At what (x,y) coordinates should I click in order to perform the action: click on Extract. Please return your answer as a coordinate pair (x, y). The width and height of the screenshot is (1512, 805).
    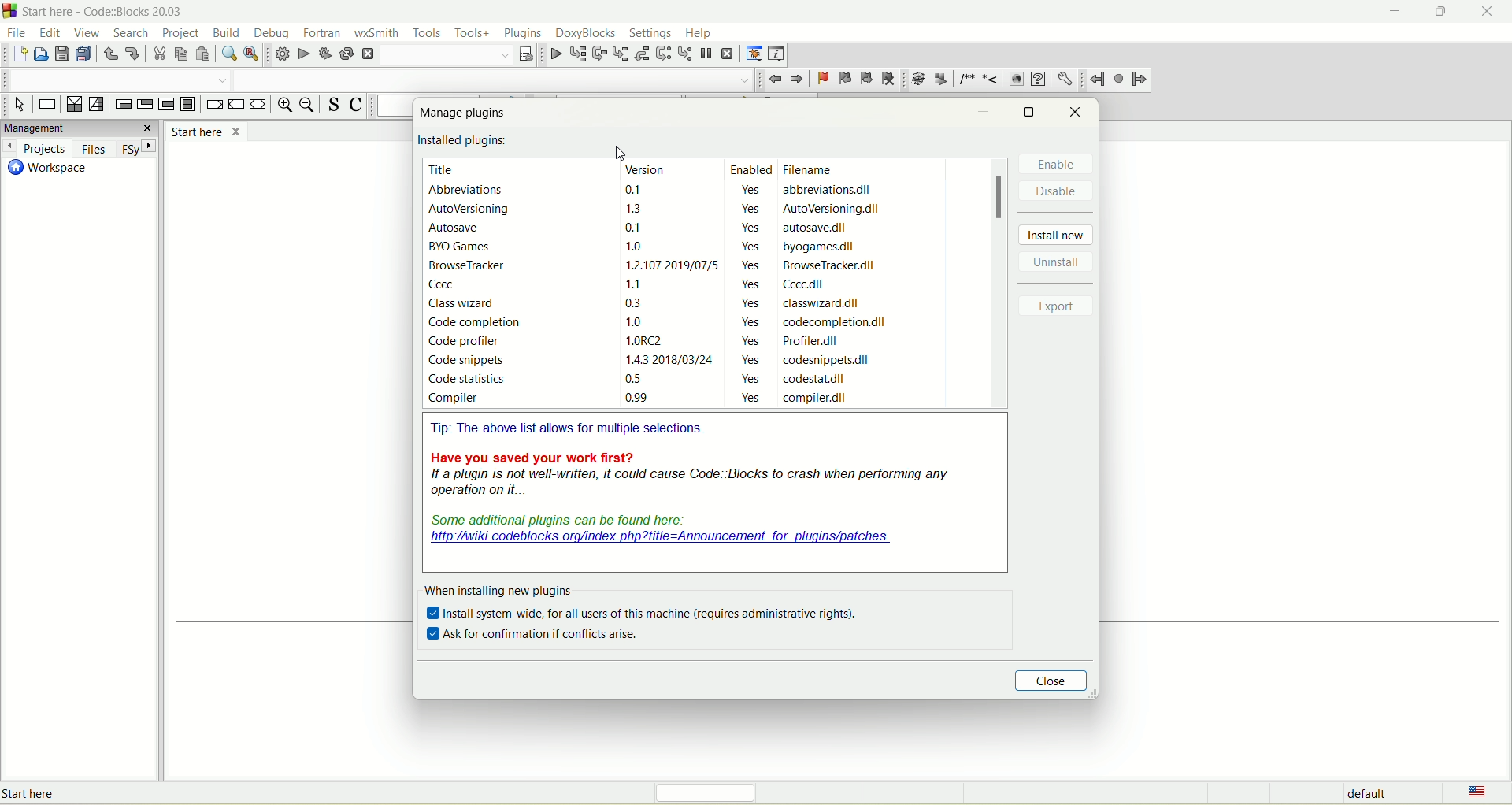
    Looking at the image, I should click on (940, 80).